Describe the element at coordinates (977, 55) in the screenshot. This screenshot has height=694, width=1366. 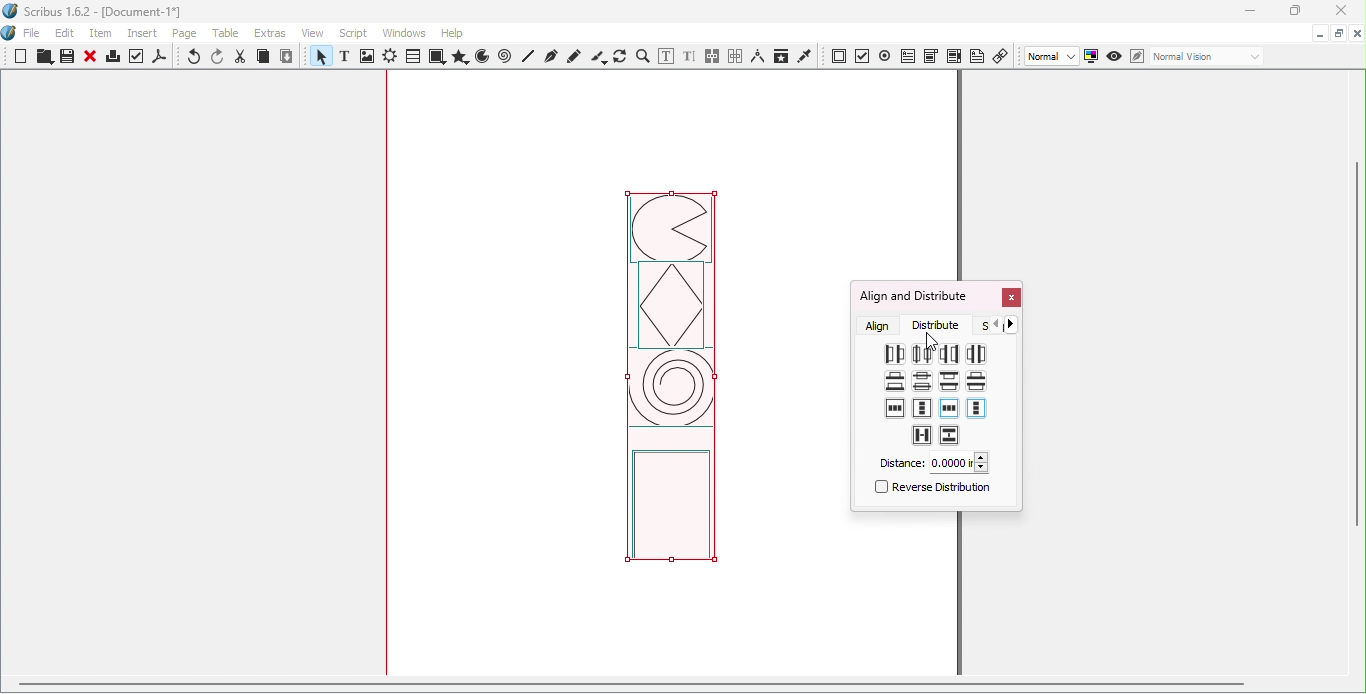
I see `Text annotation` at that location.